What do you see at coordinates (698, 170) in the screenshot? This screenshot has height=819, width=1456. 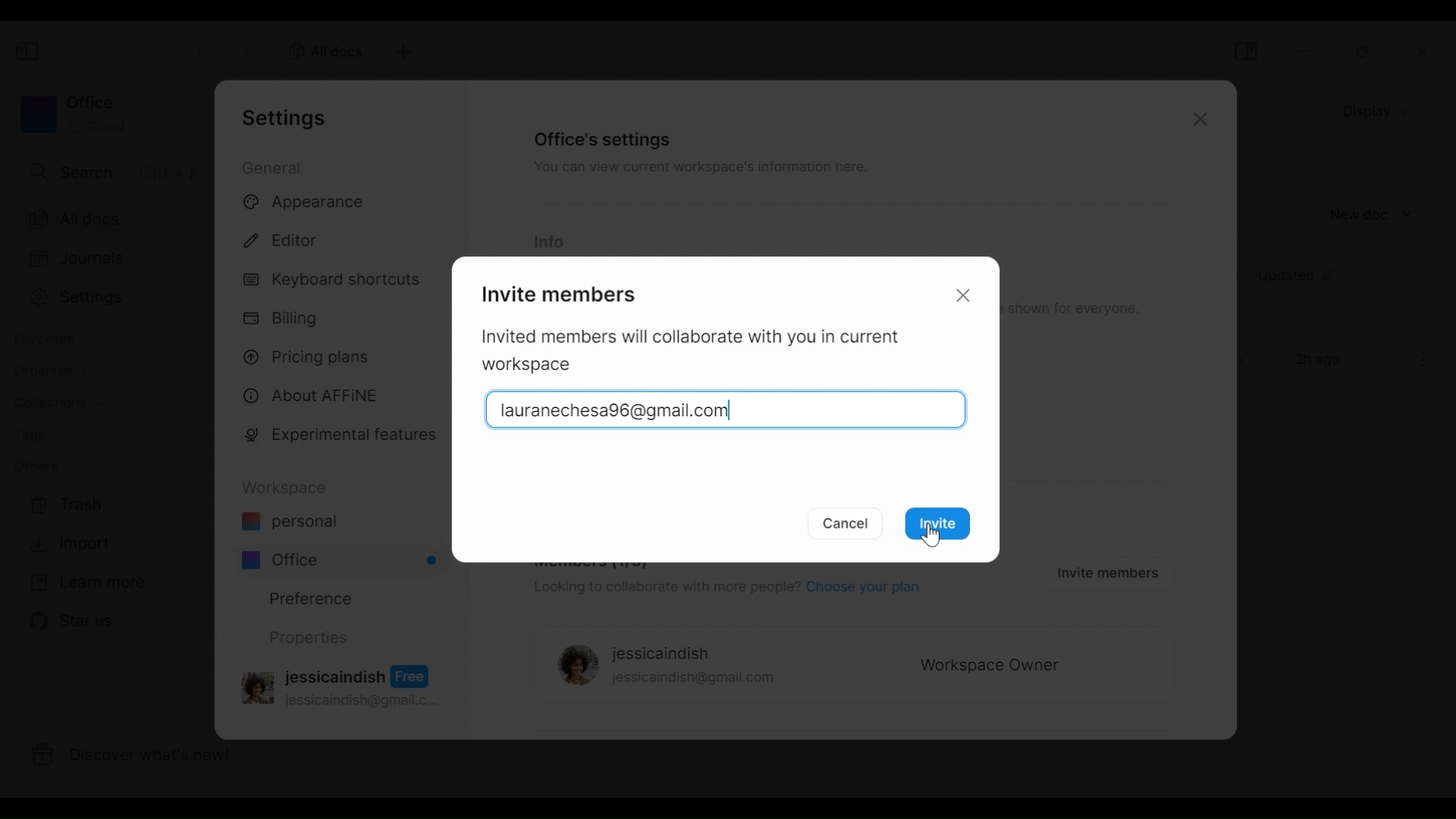 I see `You can view current workspace's information here.` at bounding box center [698, 170].